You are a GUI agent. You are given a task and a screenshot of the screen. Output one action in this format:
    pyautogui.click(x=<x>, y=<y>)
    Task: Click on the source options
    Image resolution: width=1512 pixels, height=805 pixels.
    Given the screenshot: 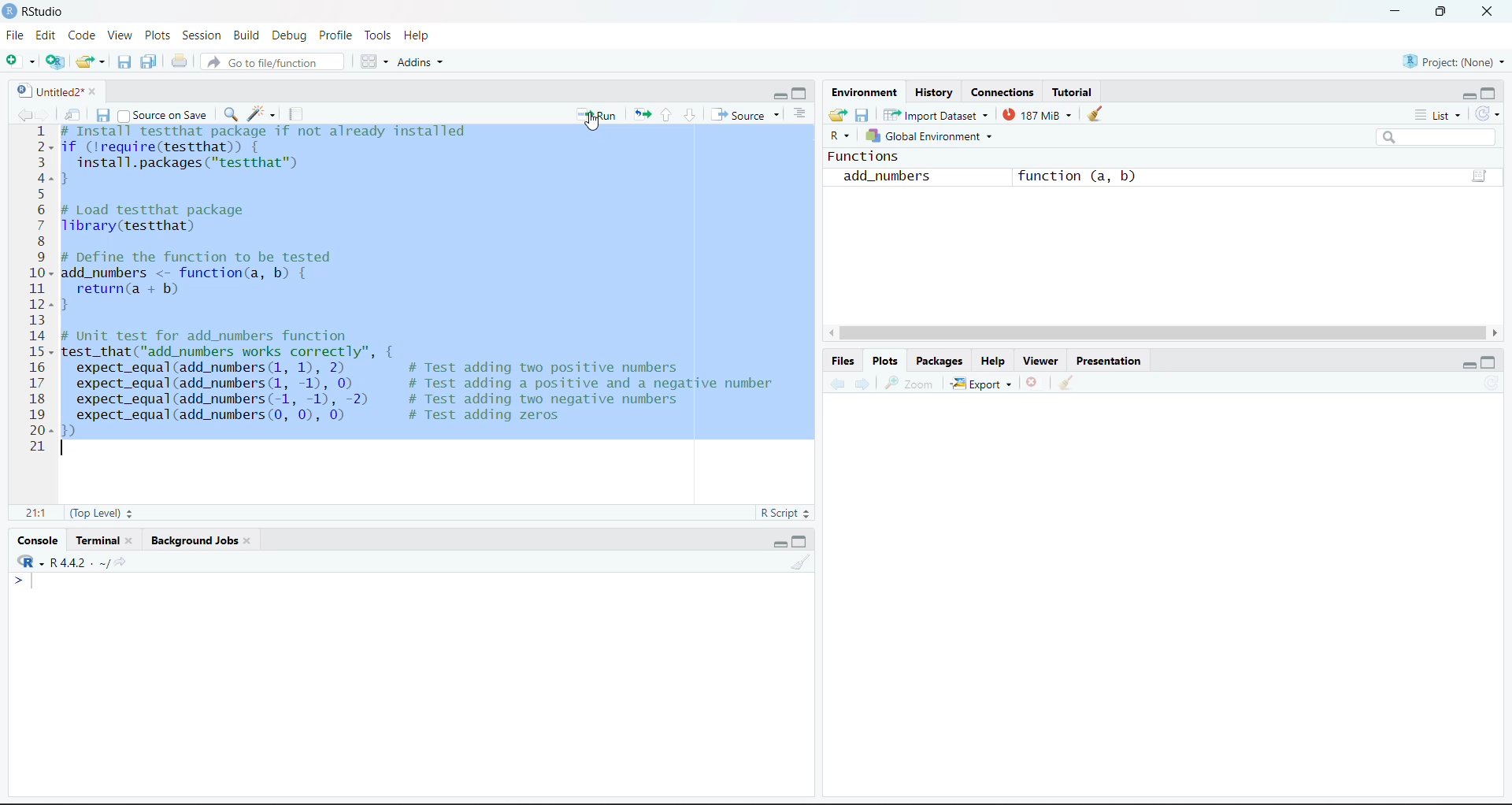 What is the action you would take?
    pyautogui.click(x=780, y=115)
    